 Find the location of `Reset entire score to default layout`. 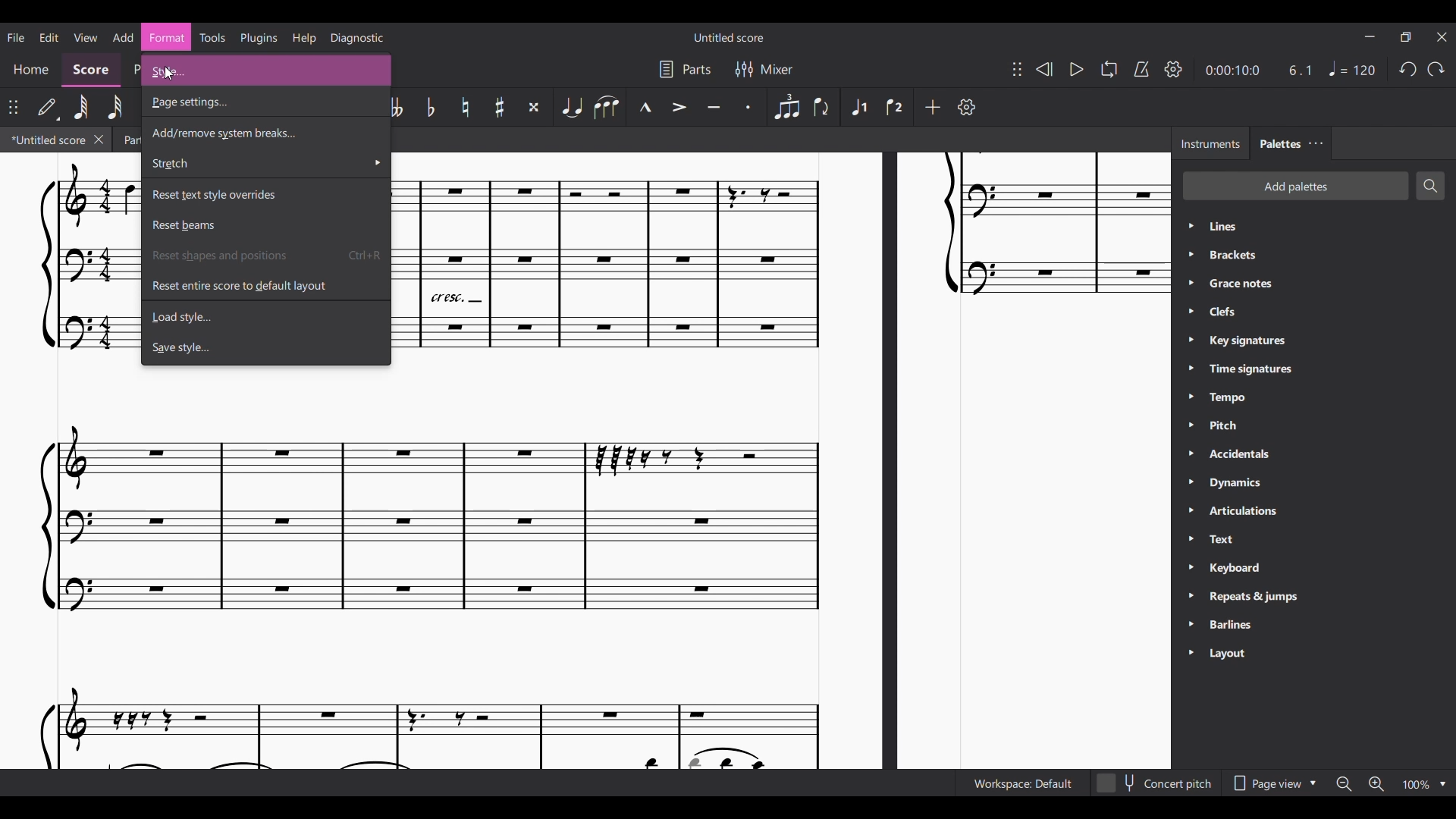

Reset entire score to default layout is located at coordinates (265, 285).